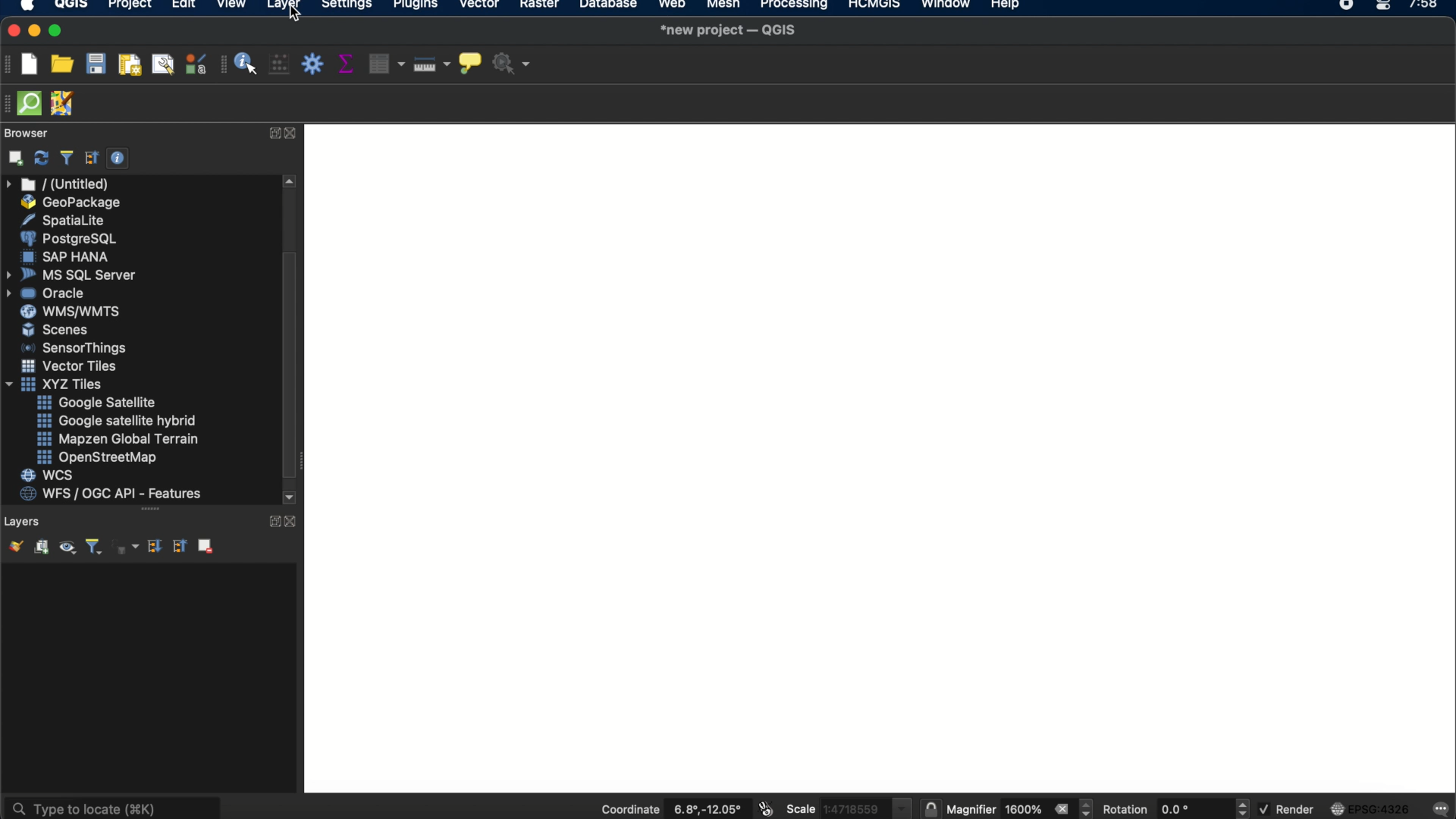 The width and height of the screenshot is (1456, 819). Describe the element at coordinates (765, 808) in the screenshot. I see `toggle extents and mouse position display` at that location.